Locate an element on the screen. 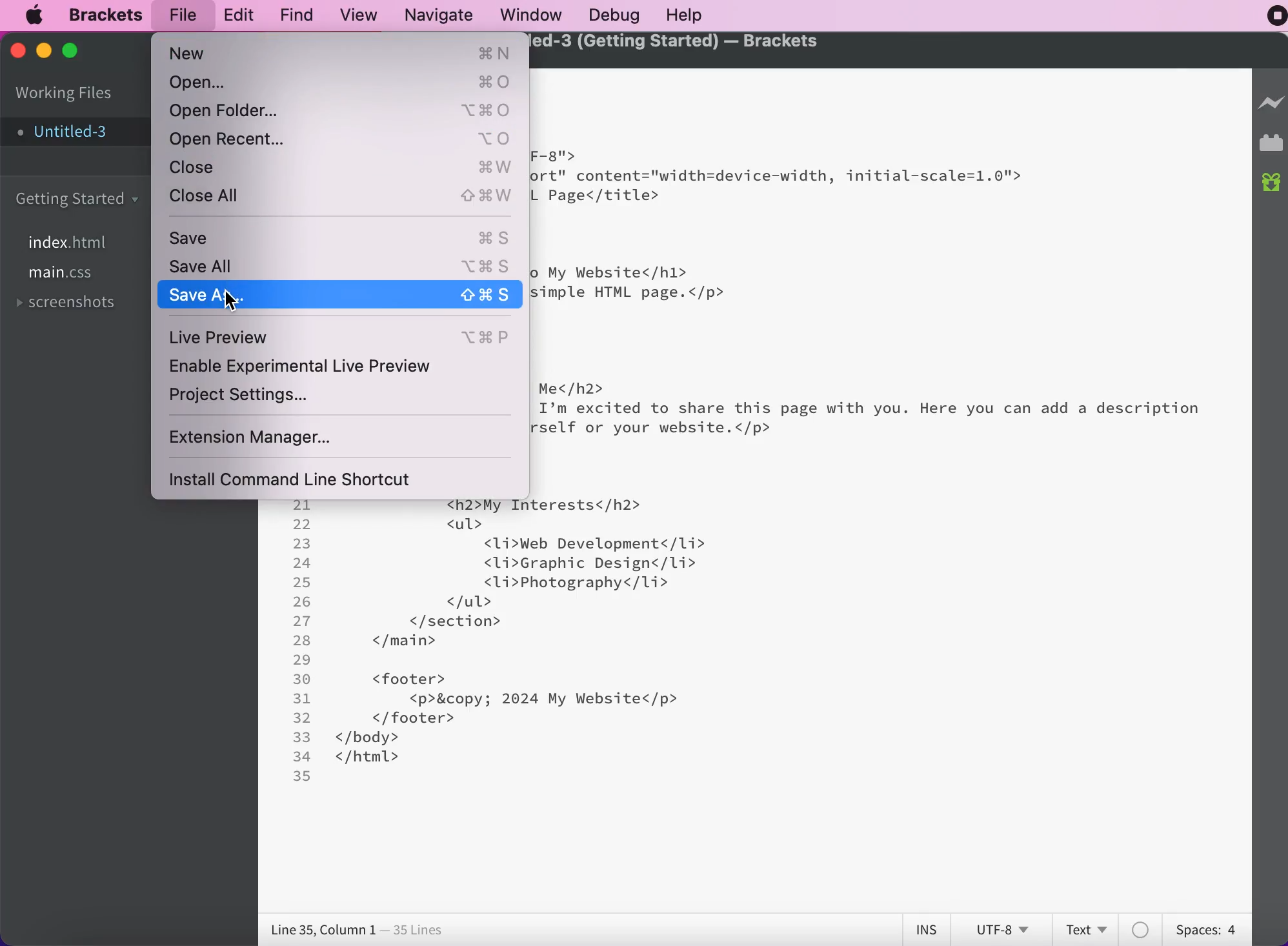  open folder is located at coordinates (341, 111).